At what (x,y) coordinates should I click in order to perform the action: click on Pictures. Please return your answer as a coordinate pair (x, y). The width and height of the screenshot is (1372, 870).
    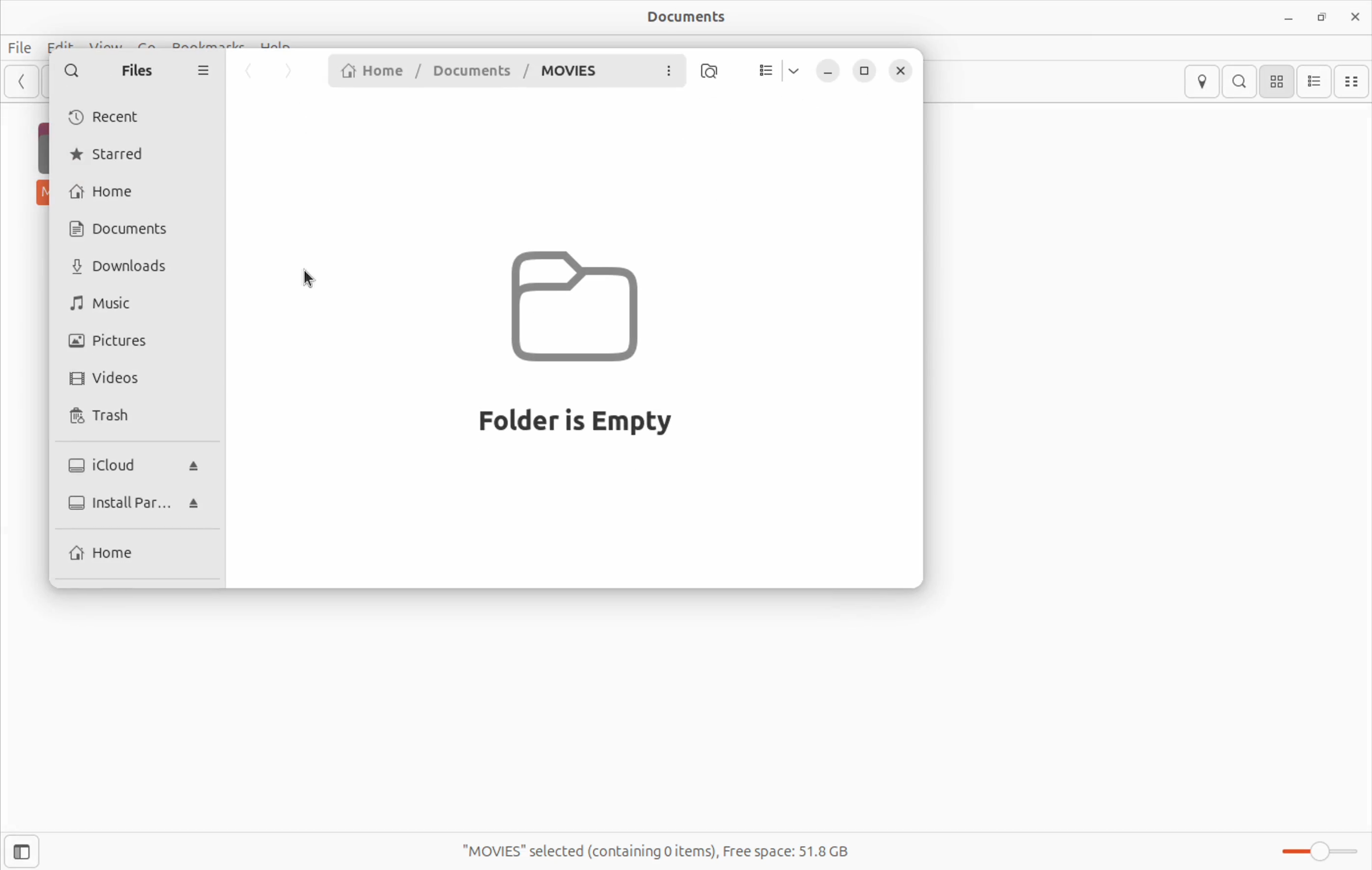
    Looking at the image, I should click on (115, 341).